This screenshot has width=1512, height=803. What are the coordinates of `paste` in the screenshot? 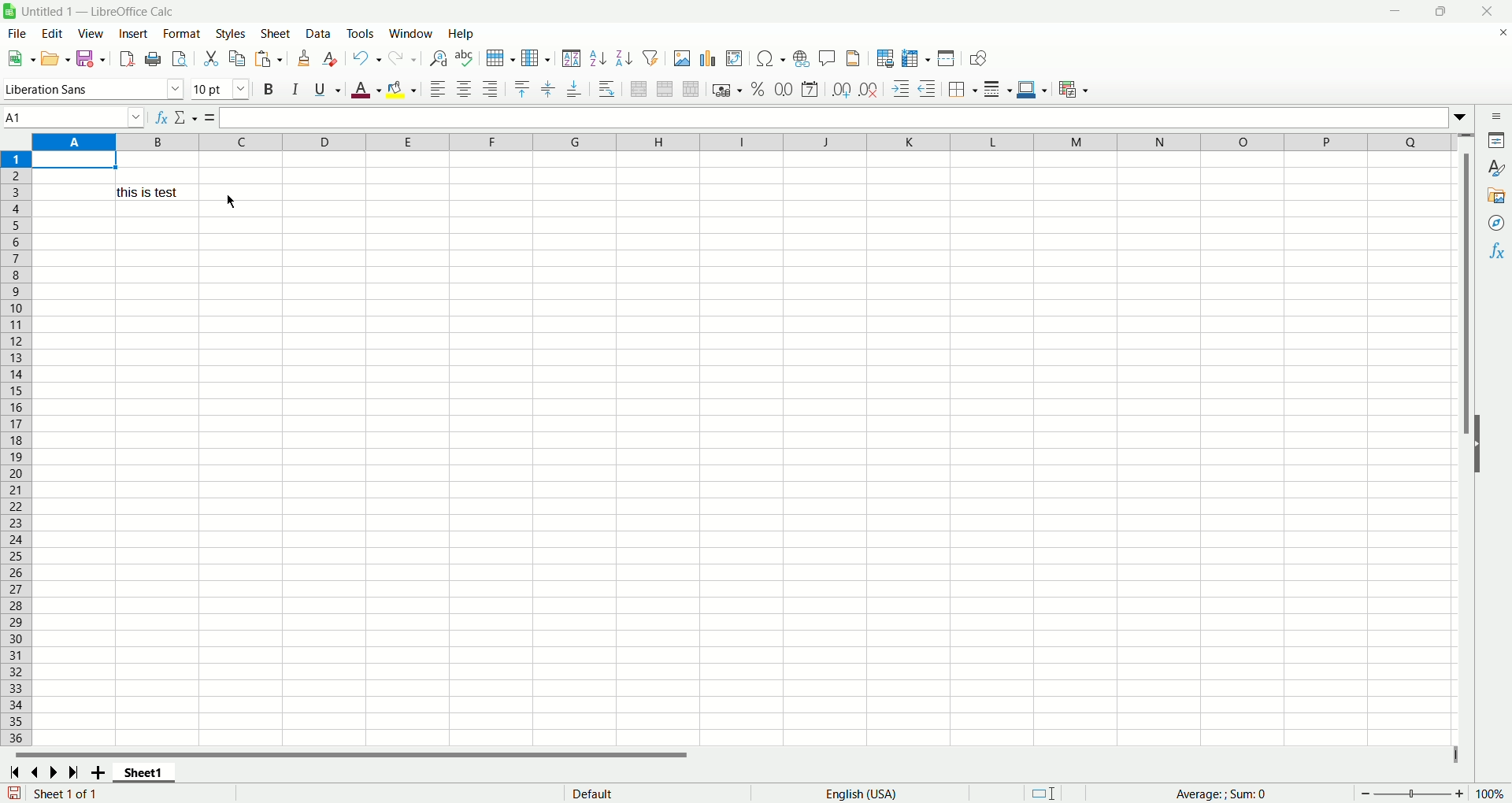 It's located at (266, 58).